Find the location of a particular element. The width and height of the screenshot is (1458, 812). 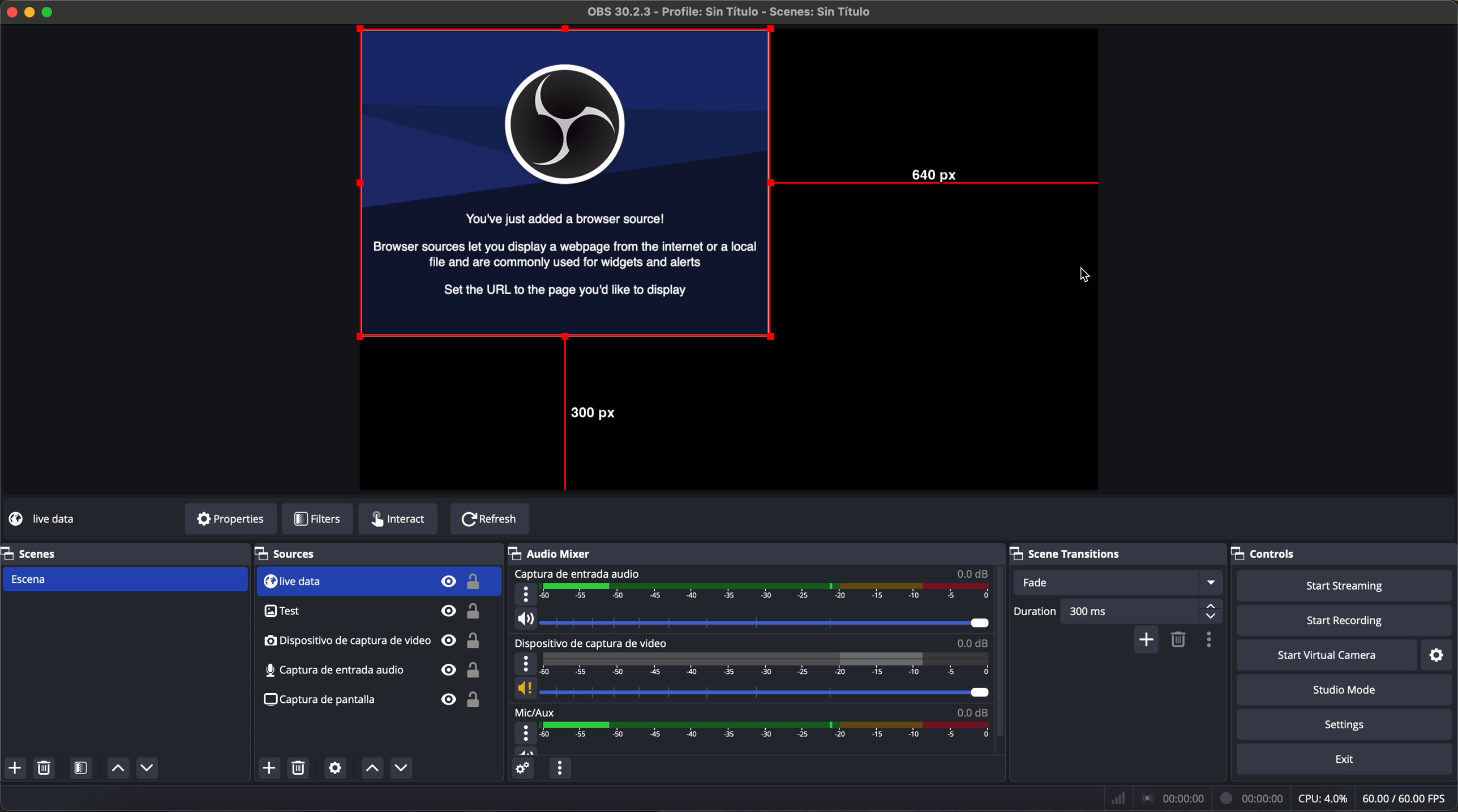

screenshot is located at coordinates (367, 701).